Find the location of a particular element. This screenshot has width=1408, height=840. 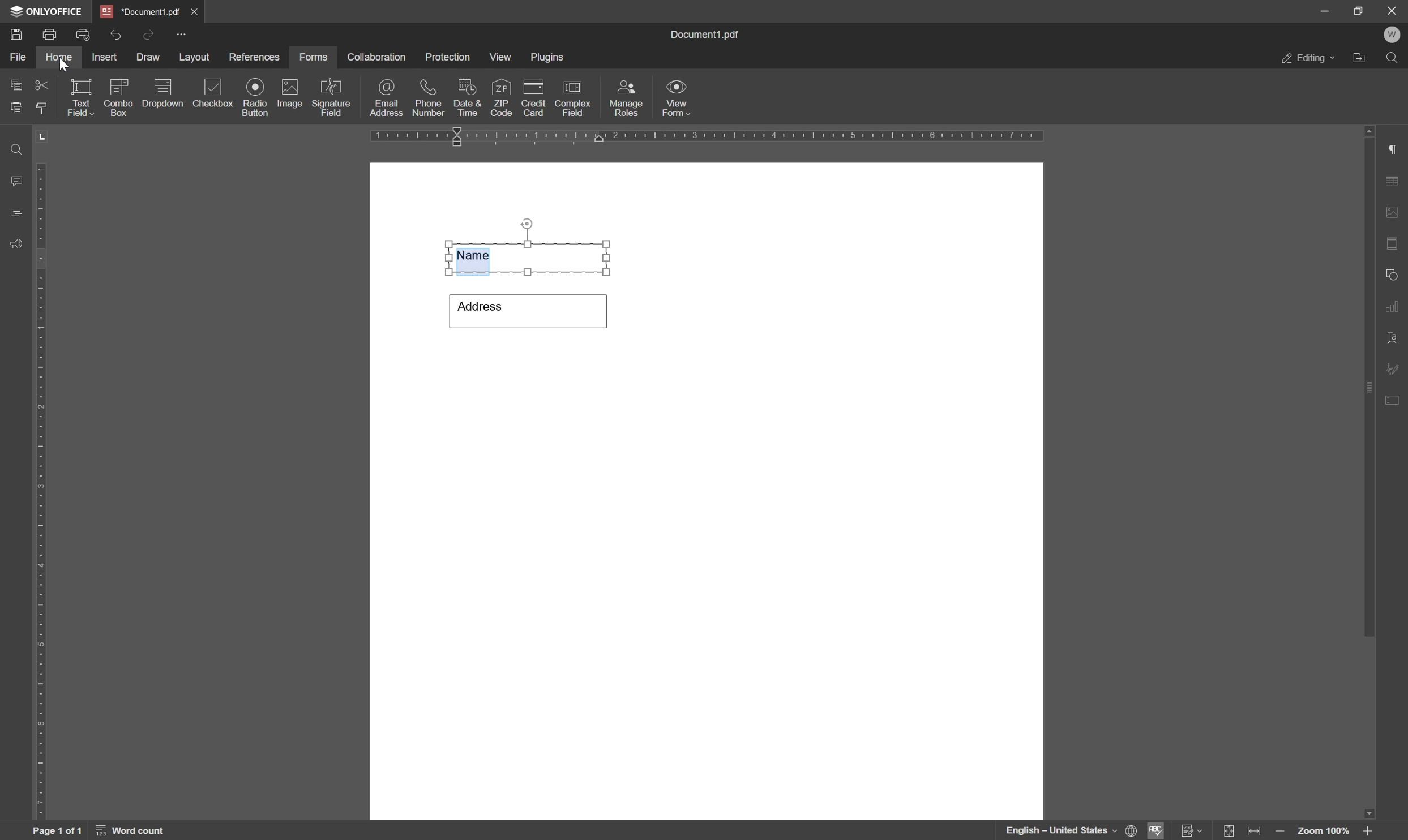

draw is located at coordinates (148, 58).